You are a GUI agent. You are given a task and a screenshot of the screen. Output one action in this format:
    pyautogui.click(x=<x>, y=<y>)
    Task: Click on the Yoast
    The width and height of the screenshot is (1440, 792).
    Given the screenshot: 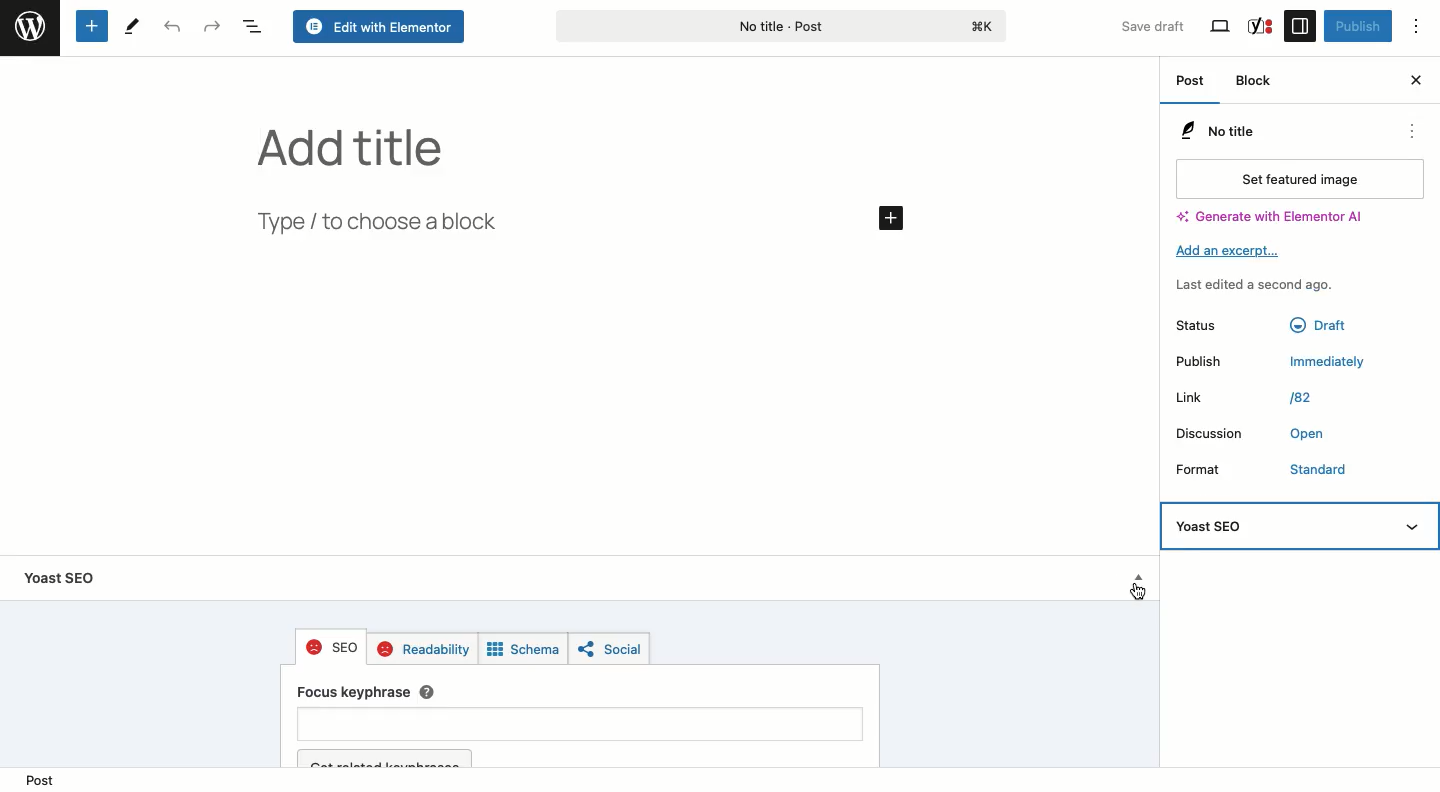 What is the action you would take?
    pyautogui.click(x=1259, y=25)
    